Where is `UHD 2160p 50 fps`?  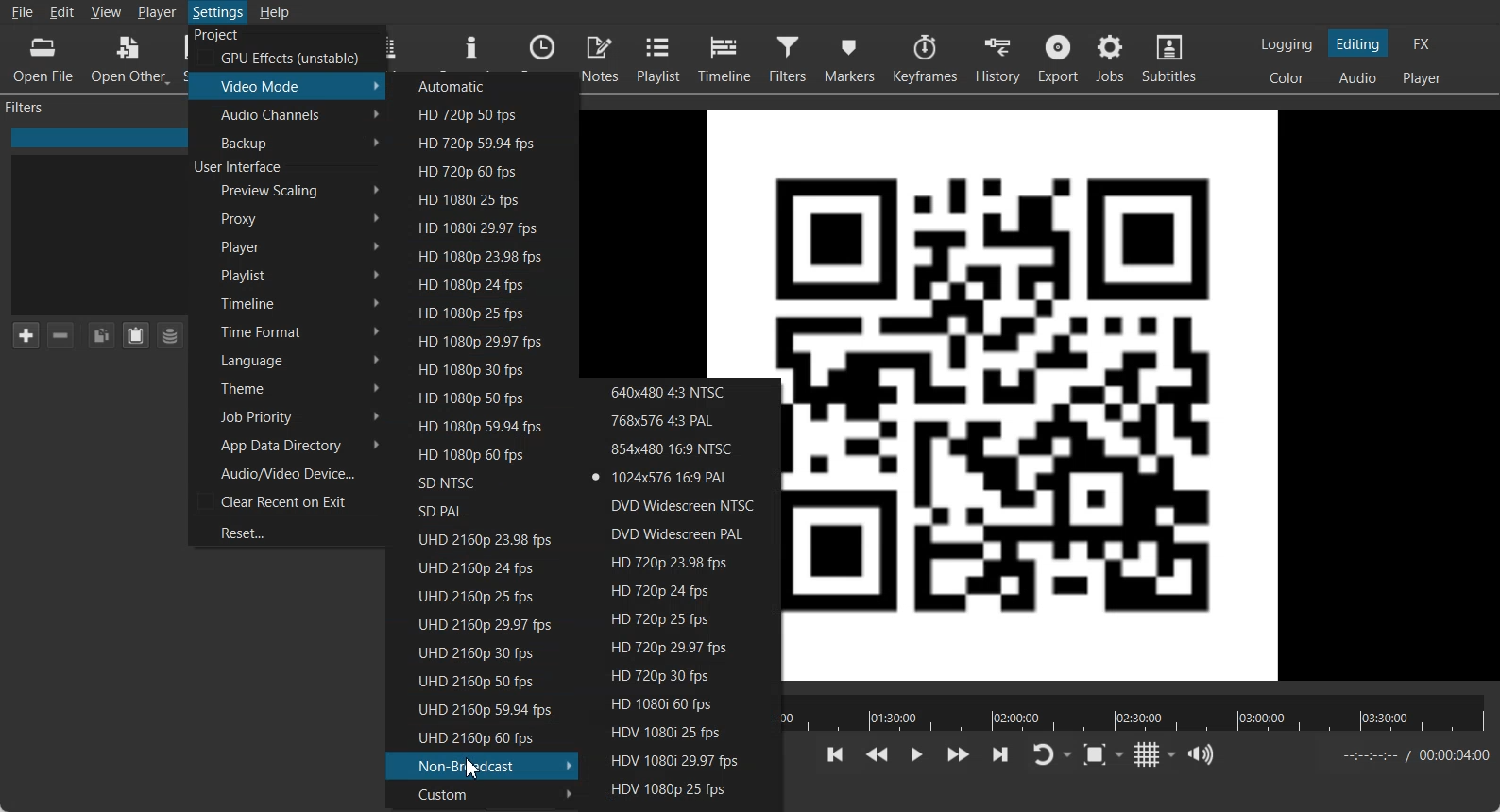 UHD 2160p 50 fps is located at coordinates (473, 680).